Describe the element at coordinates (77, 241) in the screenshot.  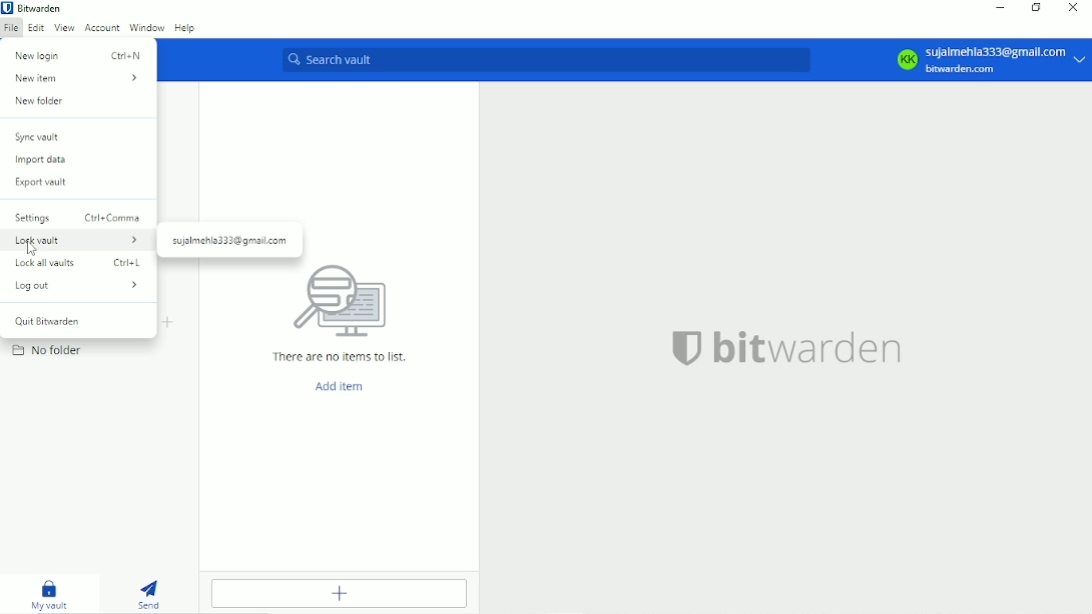
I see `Lock vault` at that location.